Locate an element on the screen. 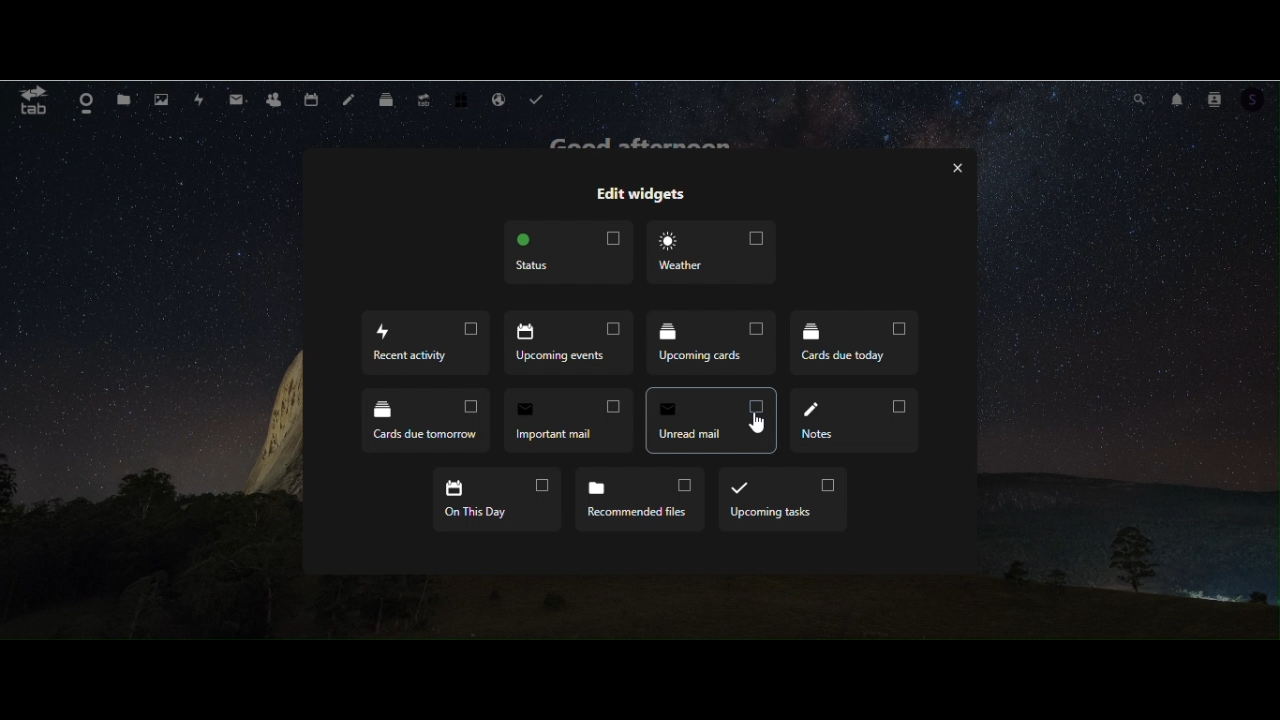 This screenshot has width=1280, height=720. search is located at coordinates (1138, 97).